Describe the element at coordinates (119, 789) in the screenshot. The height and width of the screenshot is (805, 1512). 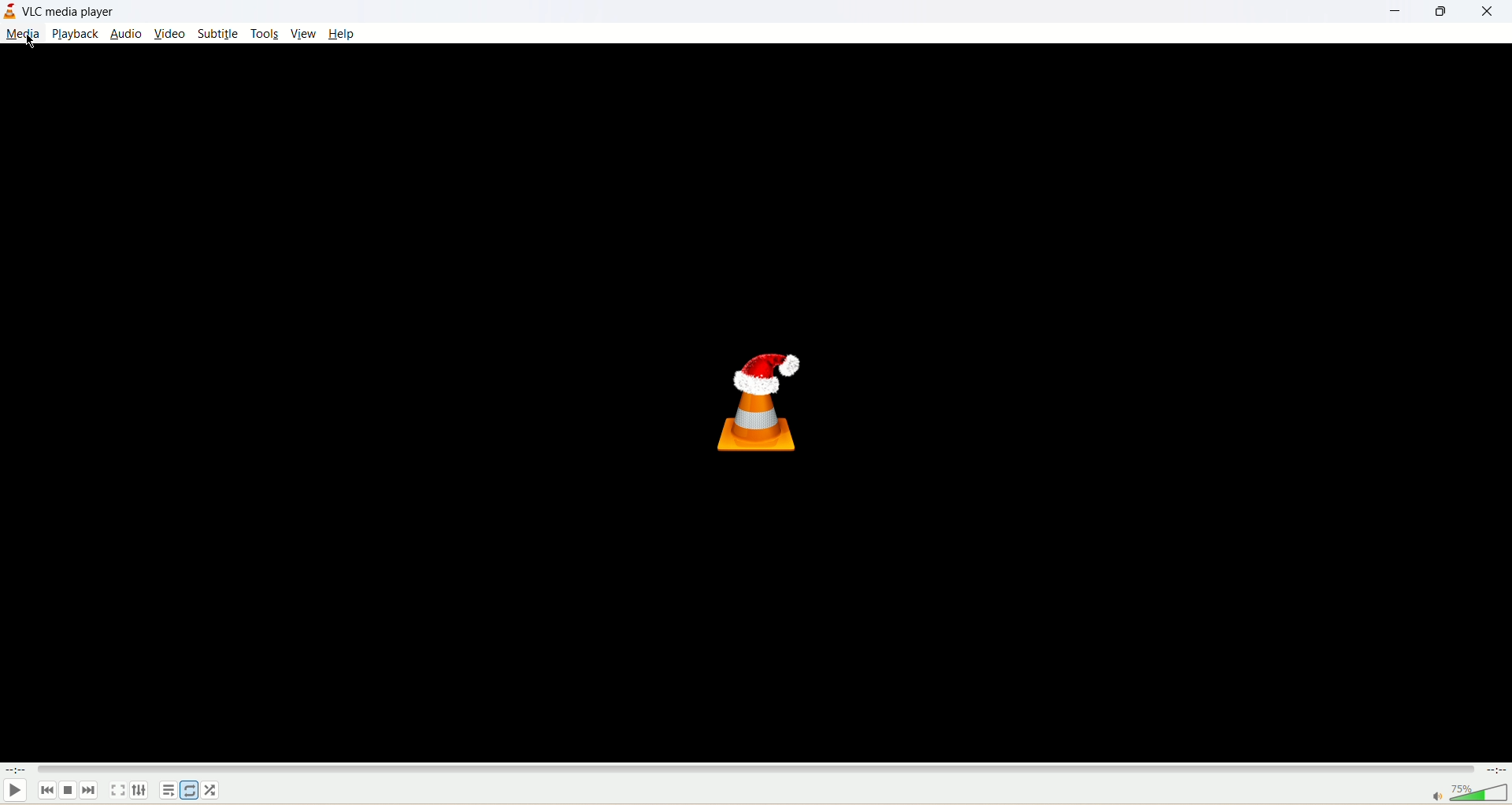
I see `full screen` at that location.